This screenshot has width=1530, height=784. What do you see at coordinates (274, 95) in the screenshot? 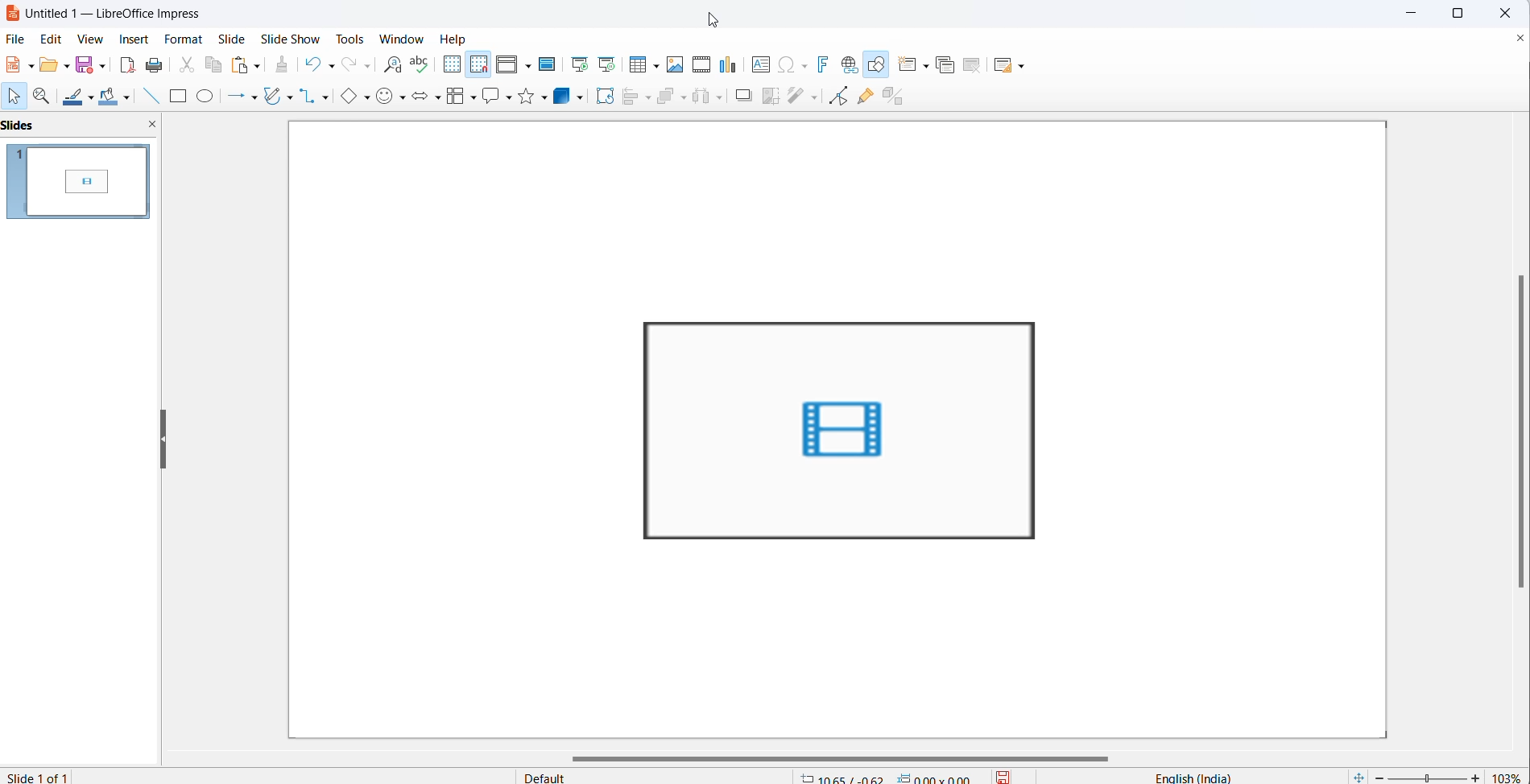
I see `curve and polygons` at bounding box center [274, 95].